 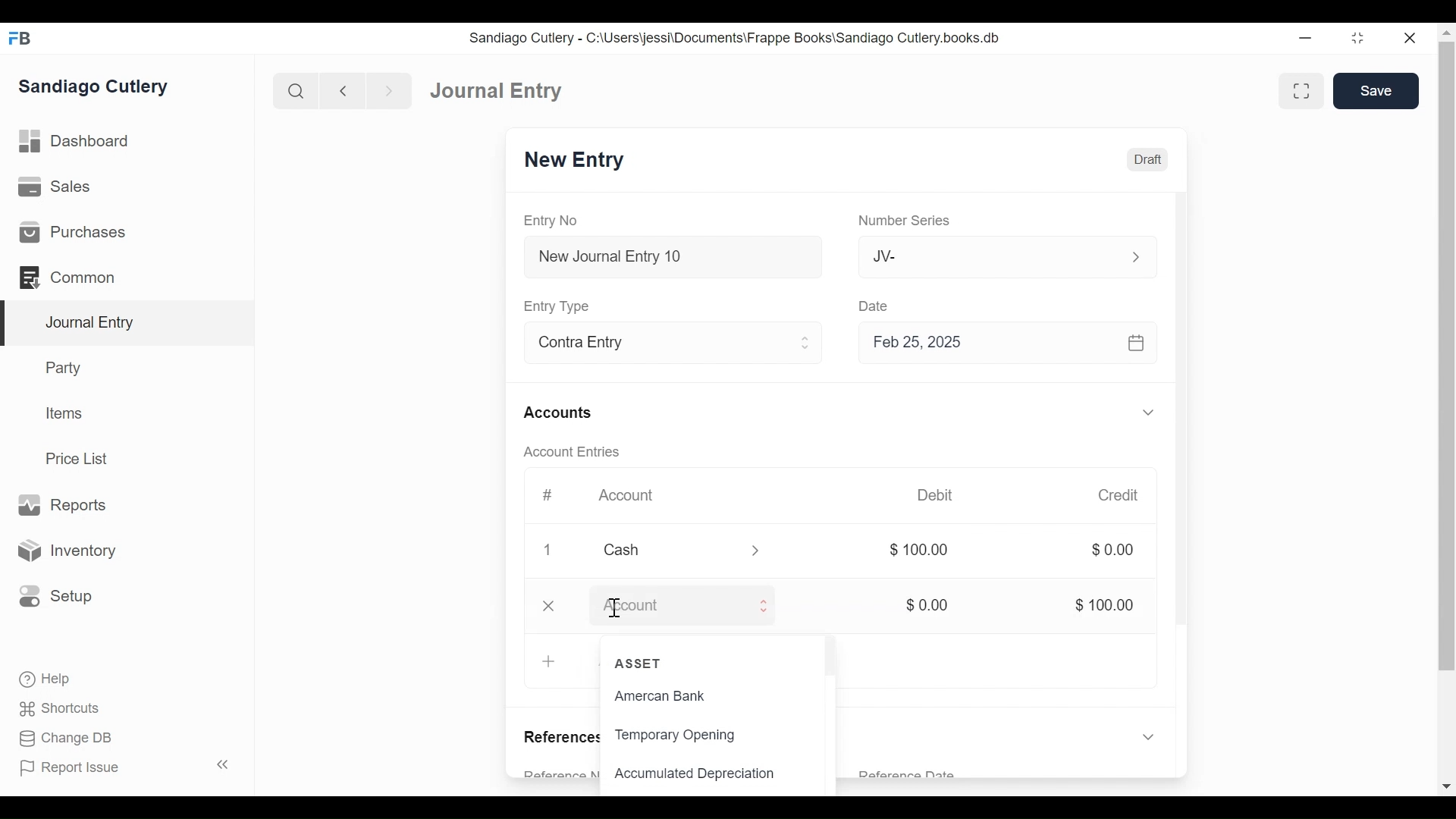 I want to click on $0.00, so click(x=1112, y=551).